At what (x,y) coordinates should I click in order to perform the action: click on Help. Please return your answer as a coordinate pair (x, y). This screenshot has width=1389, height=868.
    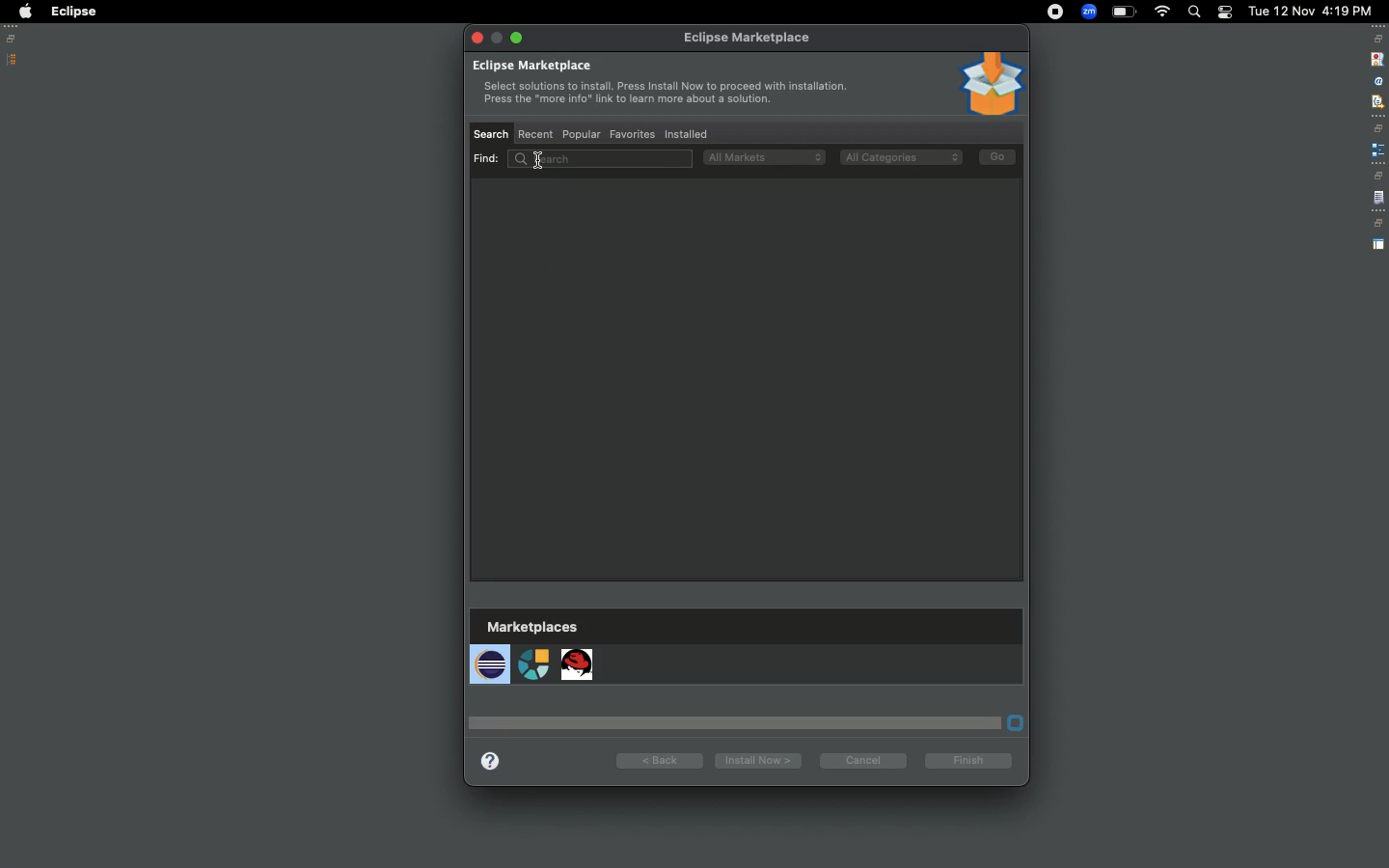
    Looking at the image, I should click on (490, 759).